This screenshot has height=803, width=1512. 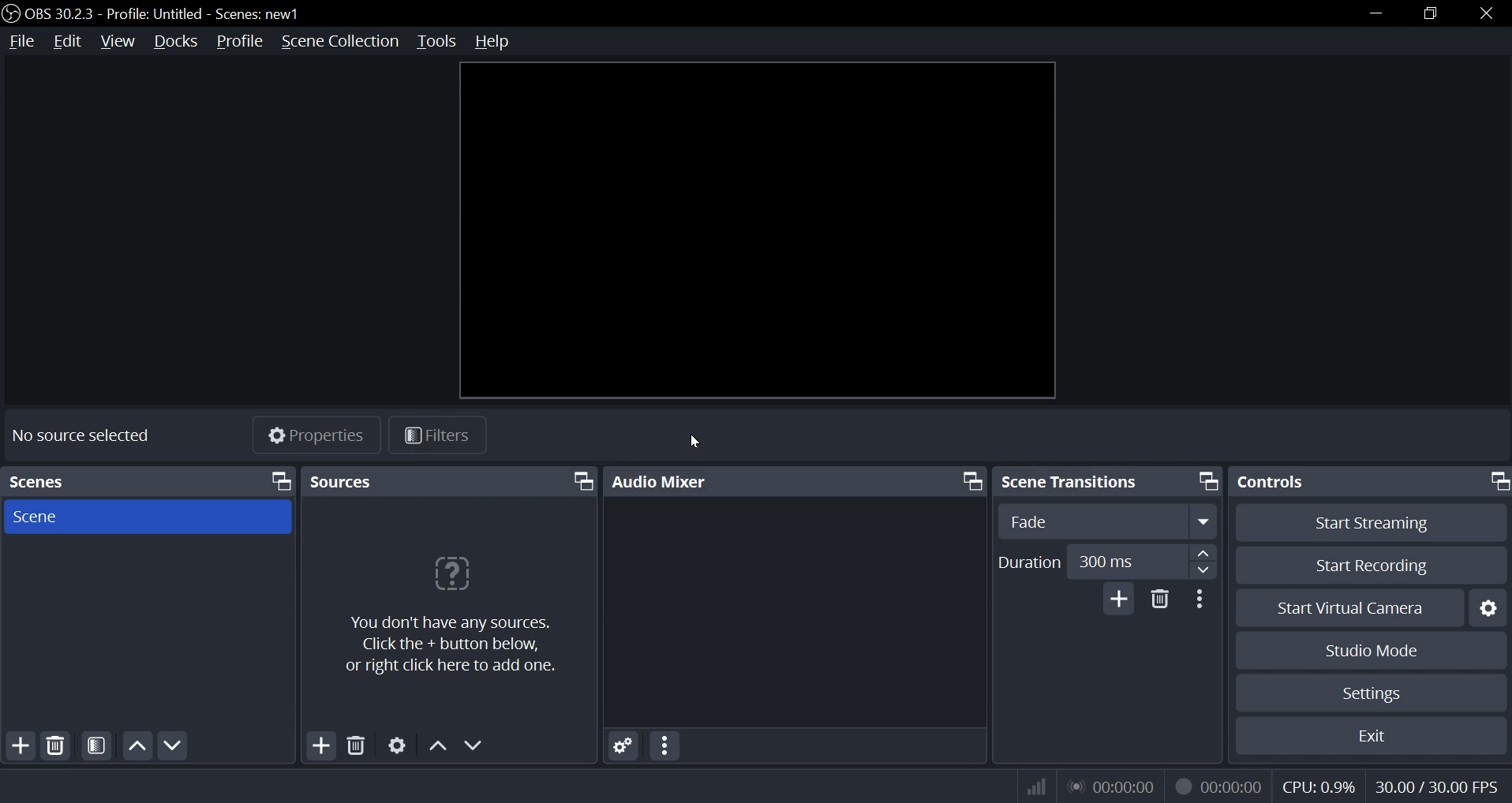 I want to click on cursor, so click(x=694, y=442).